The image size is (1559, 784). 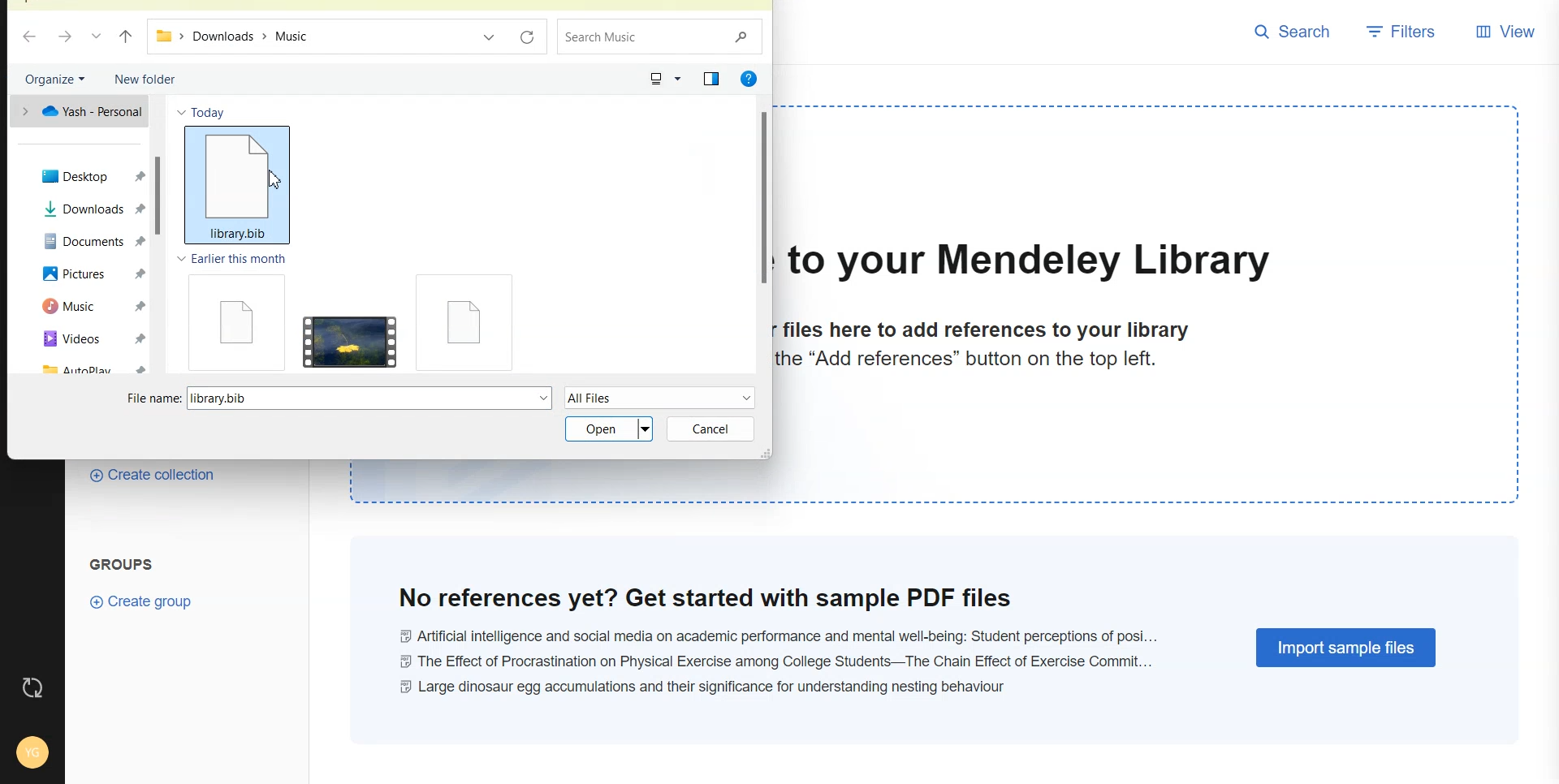 What do you see at coordinates (469, 325) in the screenshot?
I see `File` at bounding box center [469, 325].